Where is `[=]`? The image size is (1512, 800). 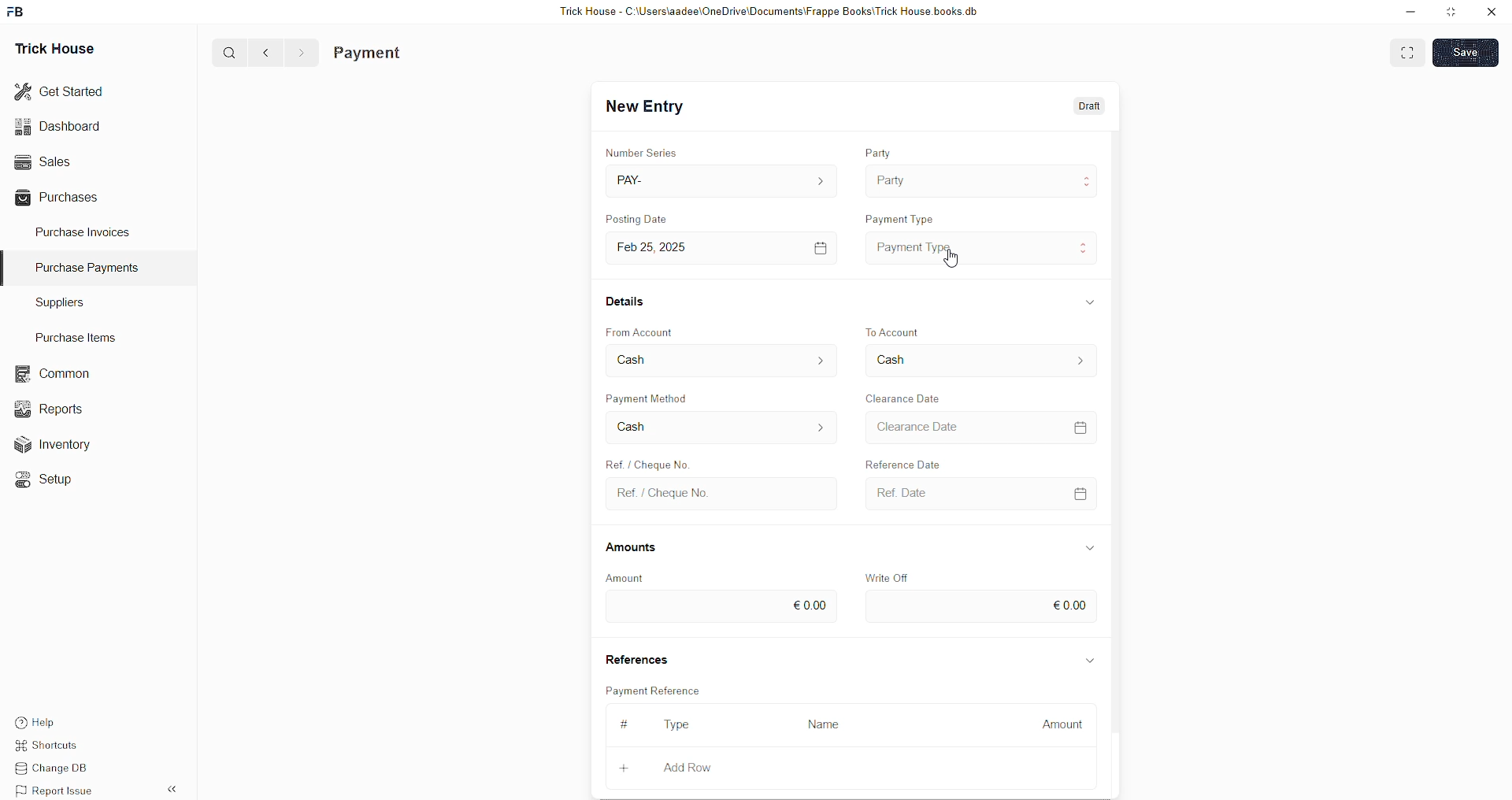
[=] is located at coordinates (821, 247).